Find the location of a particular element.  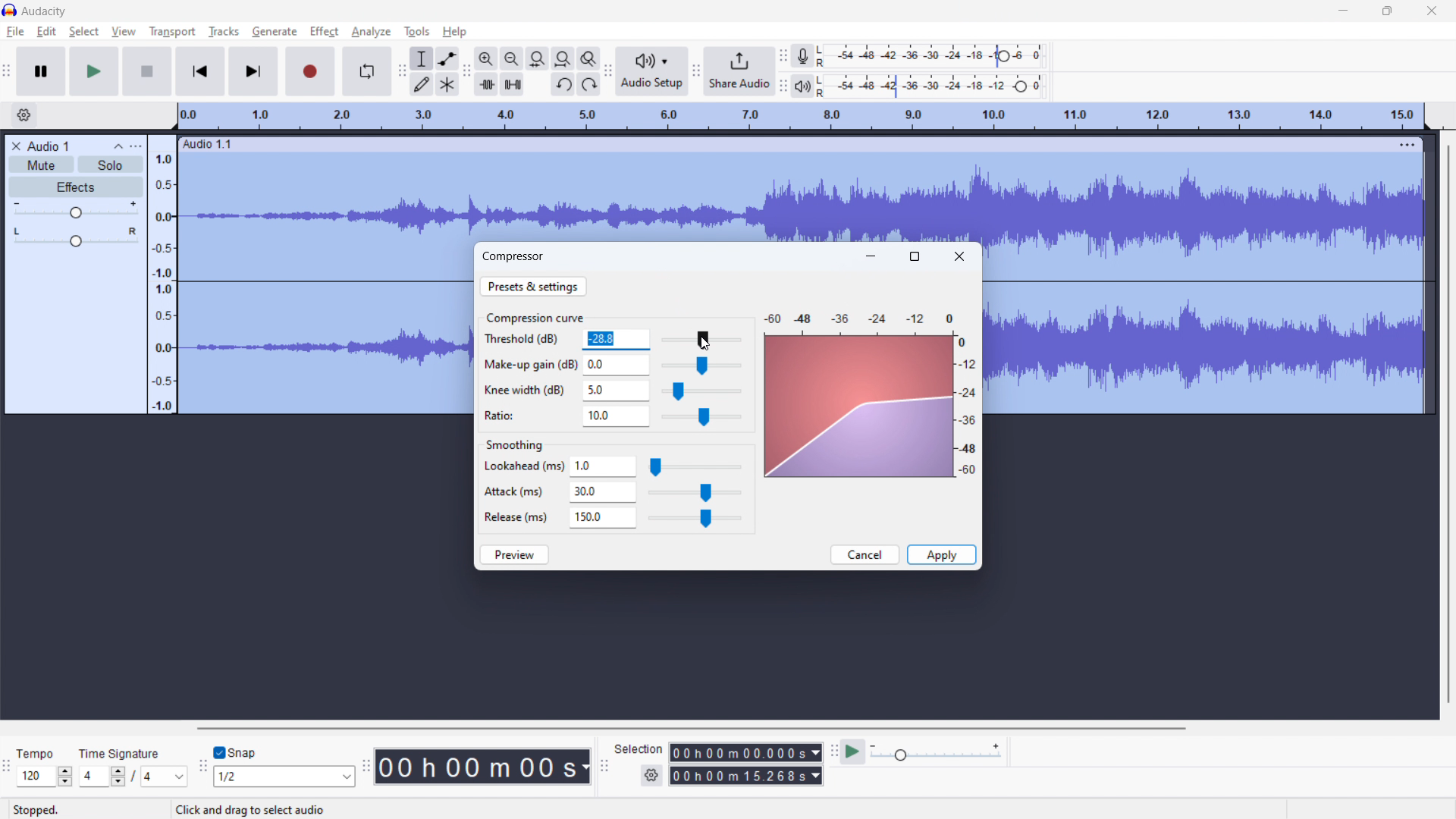

settings is located at coordinates (651, 776).